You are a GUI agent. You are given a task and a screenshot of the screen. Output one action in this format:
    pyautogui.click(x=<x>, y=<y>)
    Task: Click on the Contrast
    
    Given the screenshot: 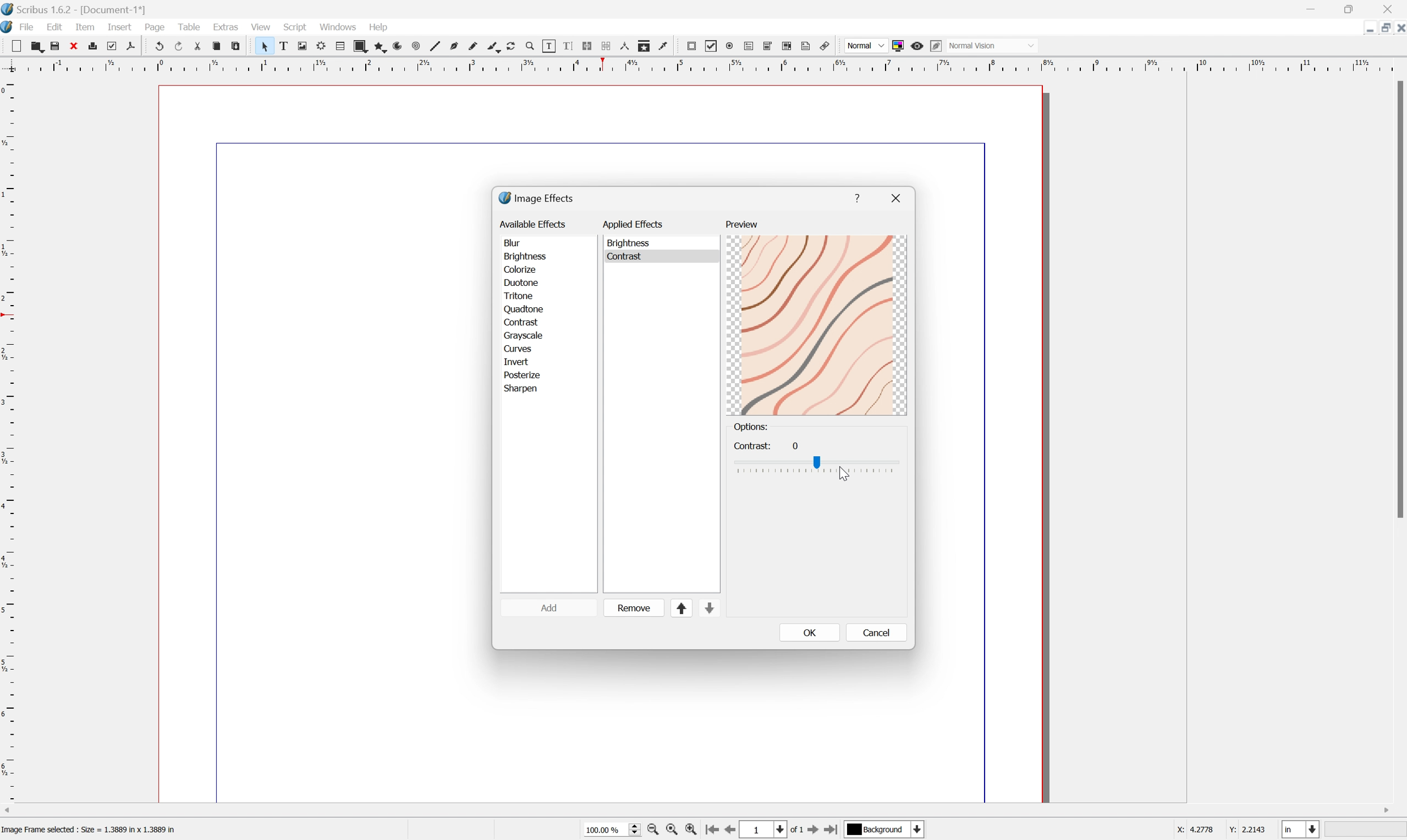 What is the action you would take?
    pyautogui.click(x=633, y=256)
    